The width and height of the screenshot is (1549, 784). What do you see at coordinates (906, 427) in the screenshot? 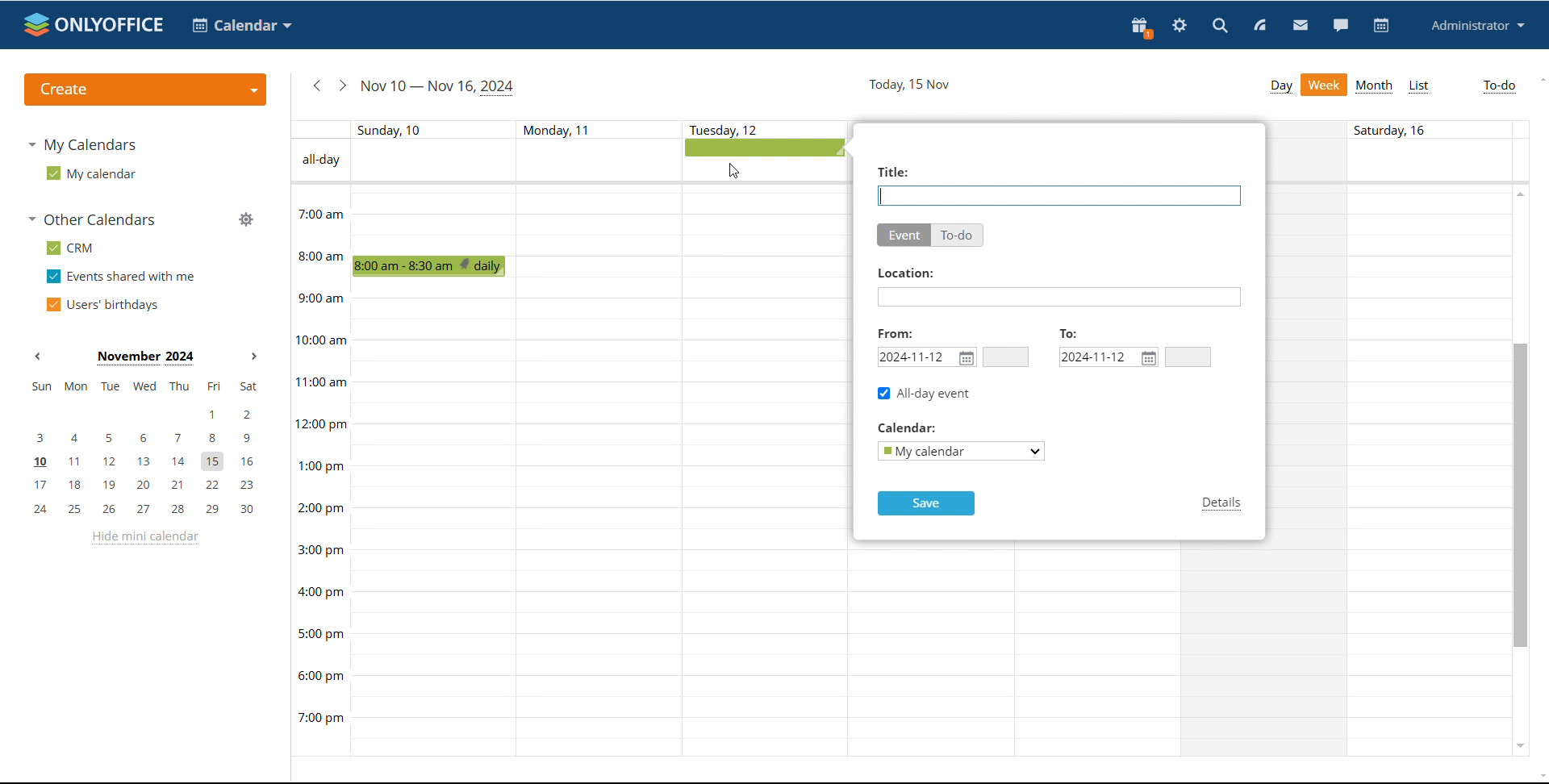
I see `` at bounding box center [906, 427].